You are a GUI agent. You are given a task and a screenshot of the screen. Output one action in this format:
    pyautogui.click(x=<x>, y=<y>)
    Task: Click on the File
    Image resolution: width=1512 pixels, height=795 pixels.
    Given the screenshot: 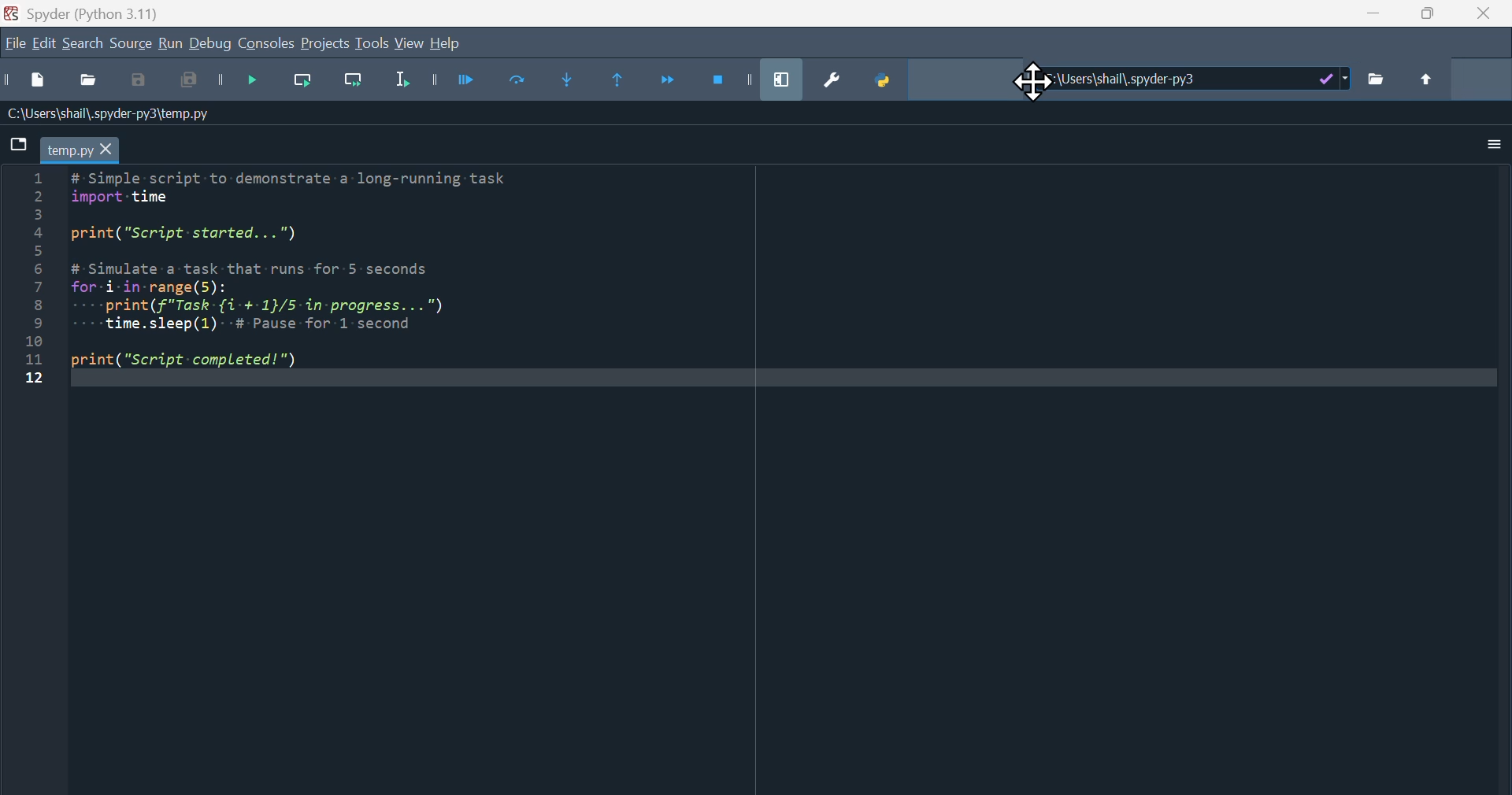 What is the action you would take?
    pyautogui.click(x=16, y=46)
    